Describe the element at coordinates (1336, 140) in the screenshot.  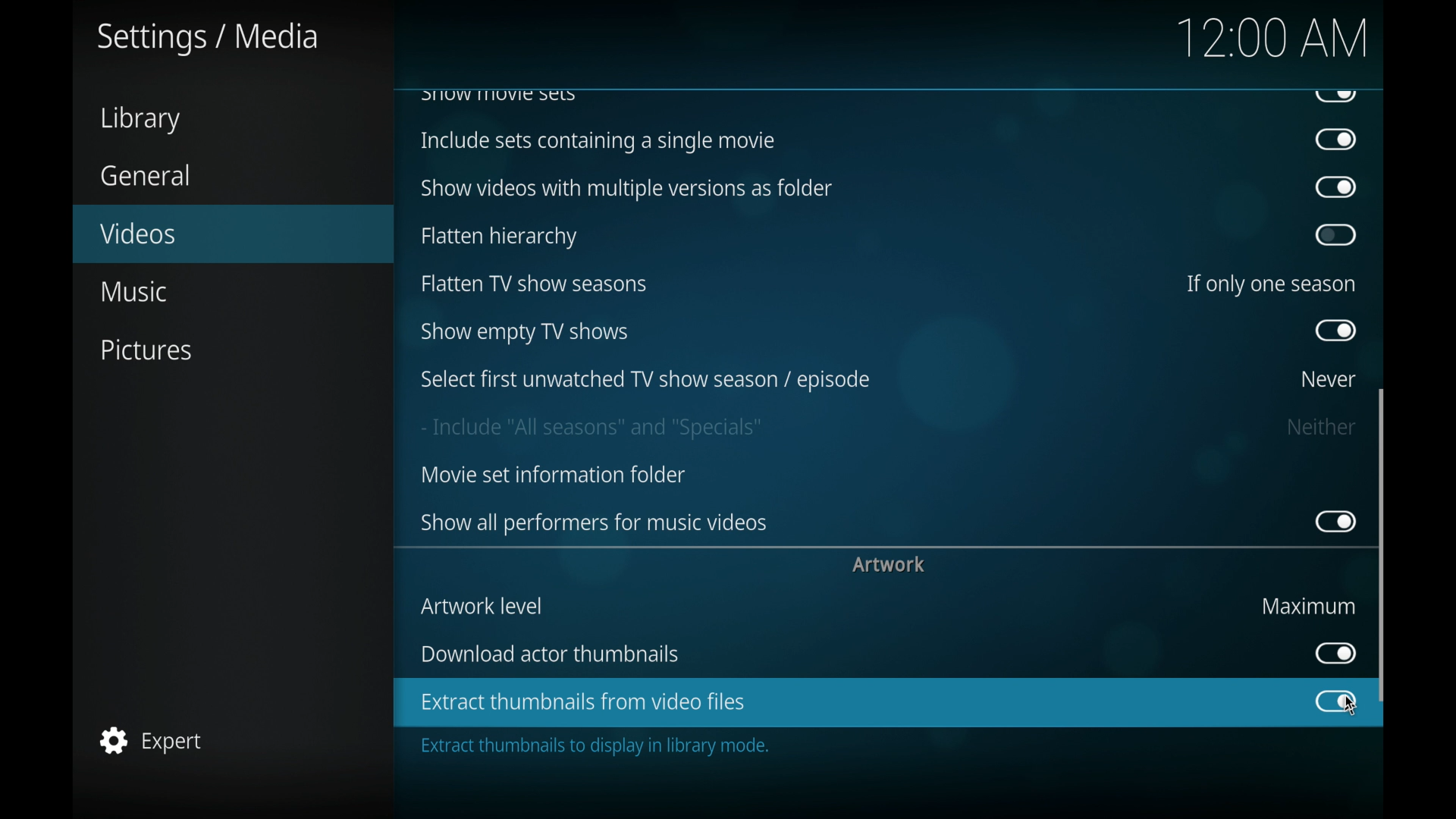
I see `toggle button` at that location.